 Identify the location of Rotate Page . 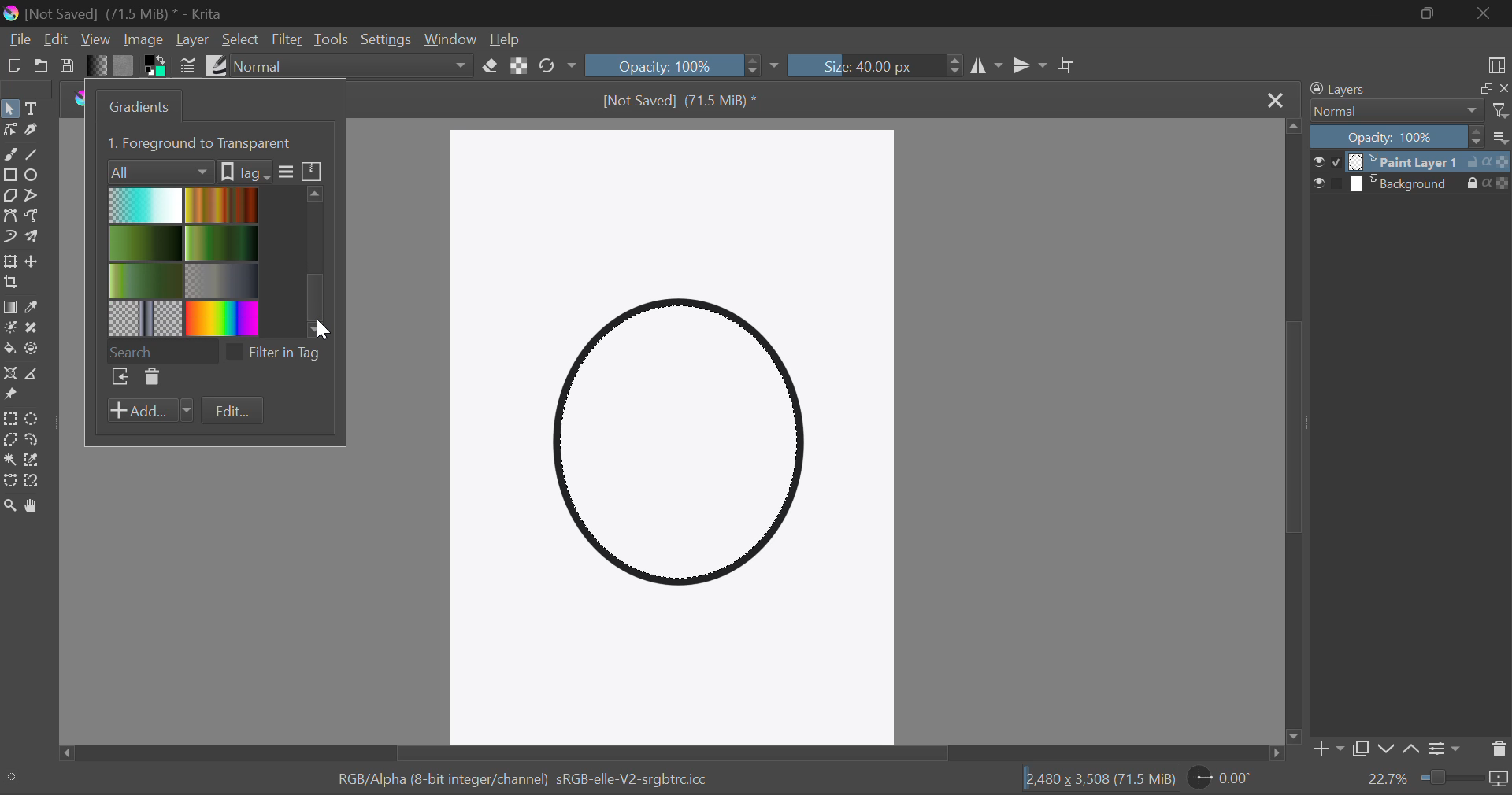
(1220, 778).